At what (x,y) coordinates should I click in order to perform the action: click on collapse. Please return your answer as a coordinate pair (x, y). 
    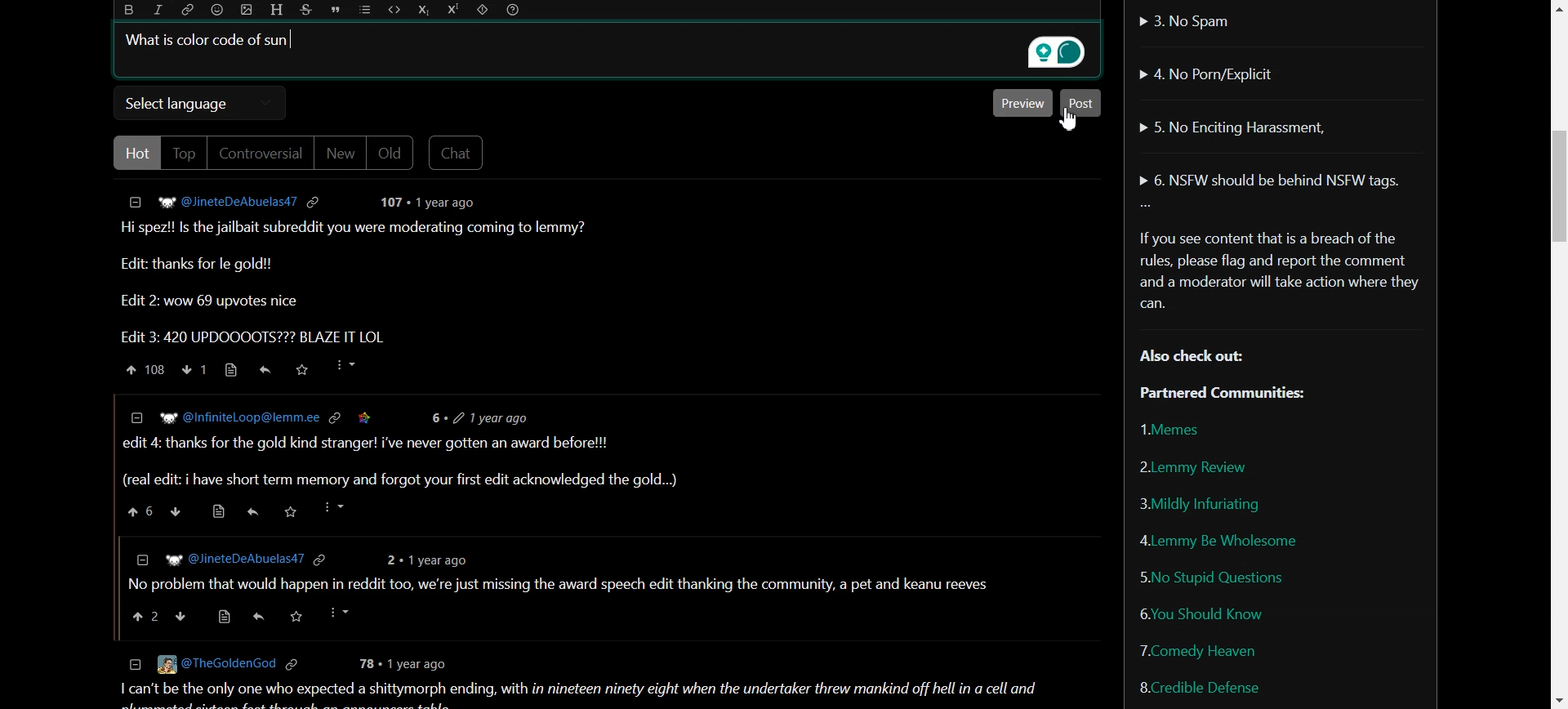
    Looking at the image, I should click on (140, 419).